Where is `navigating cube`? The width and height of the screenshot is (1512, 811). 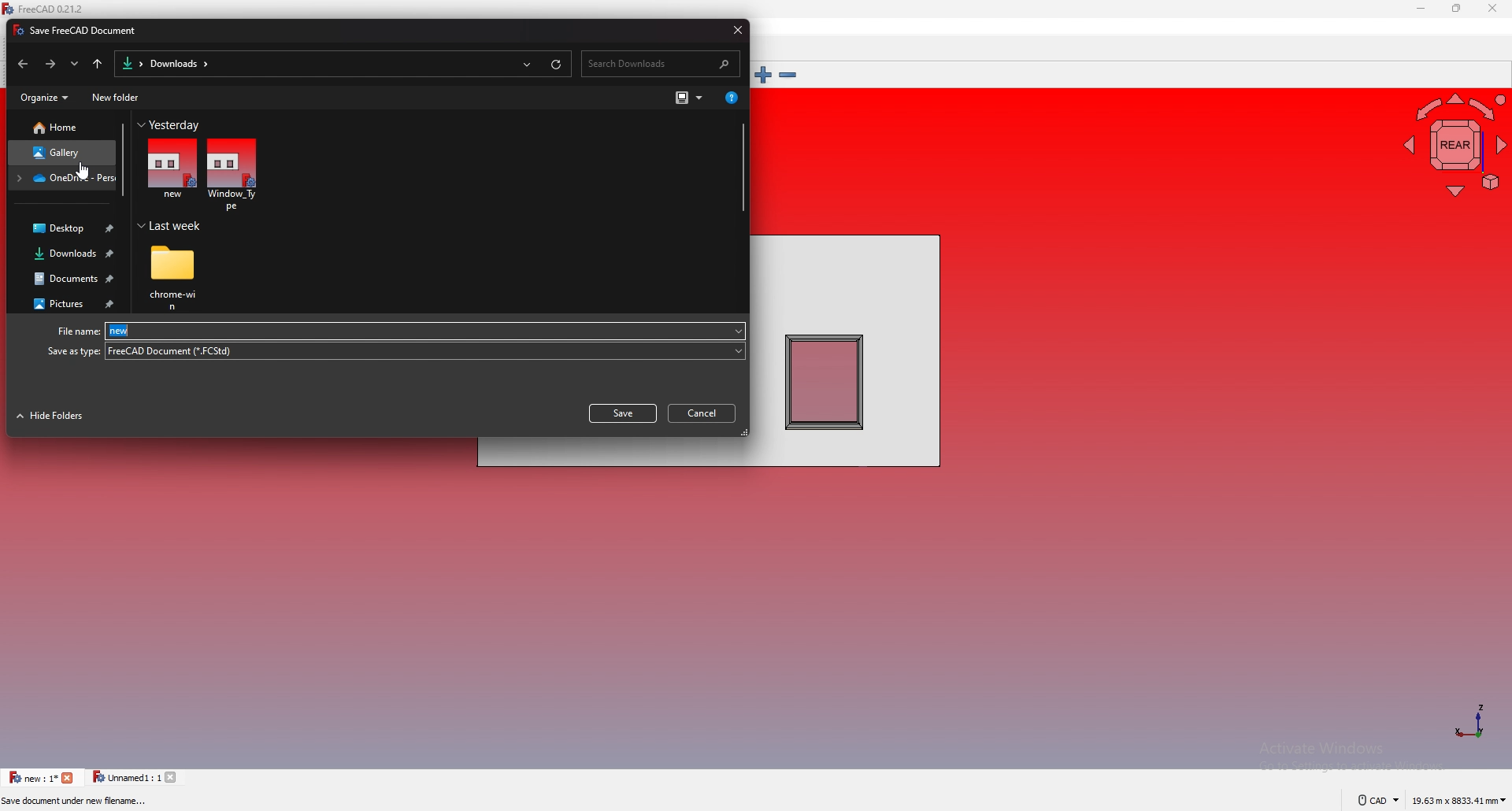 navigating cube is located at coordinates (1455, 146).